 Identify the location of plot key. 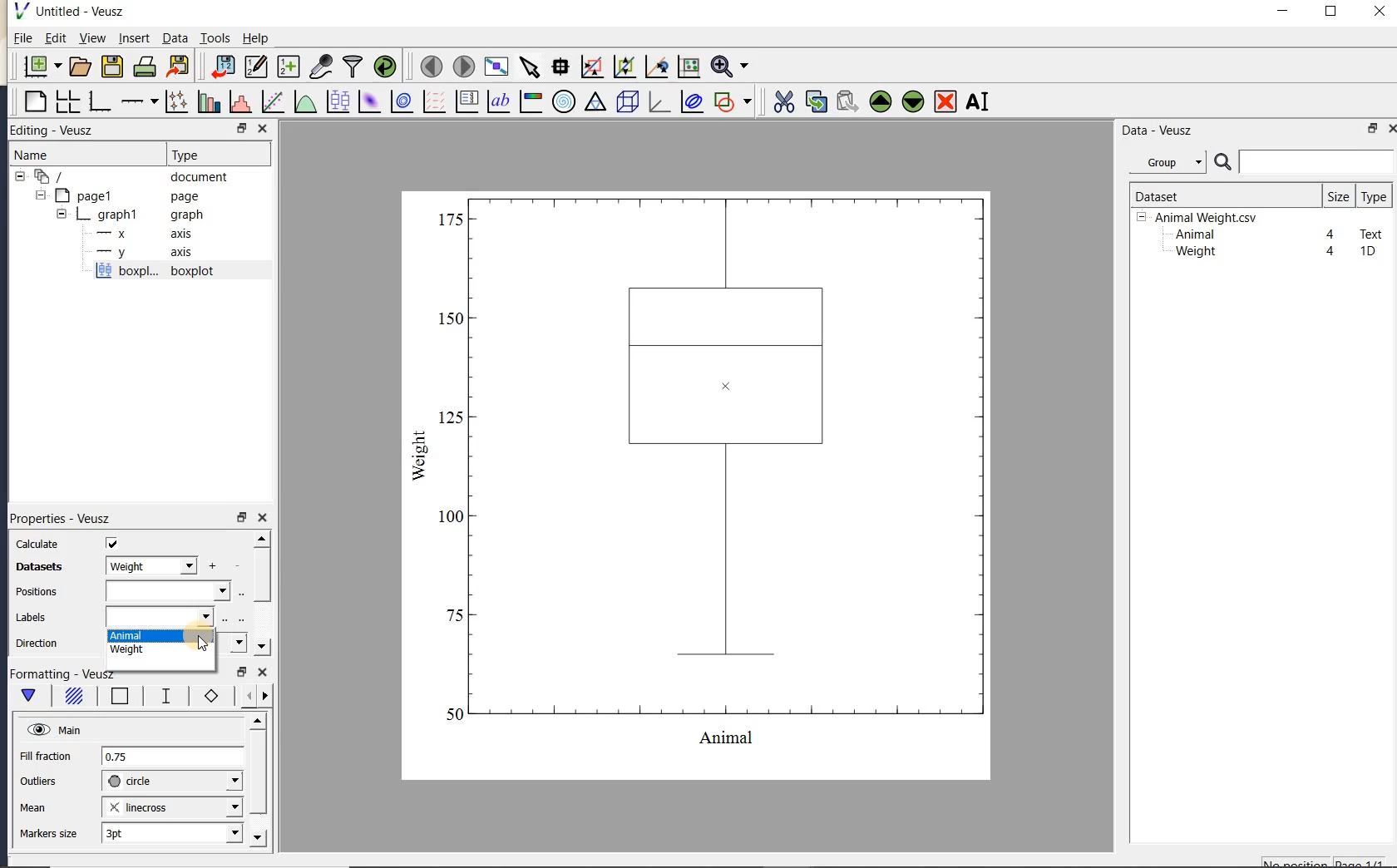
(465, 101).